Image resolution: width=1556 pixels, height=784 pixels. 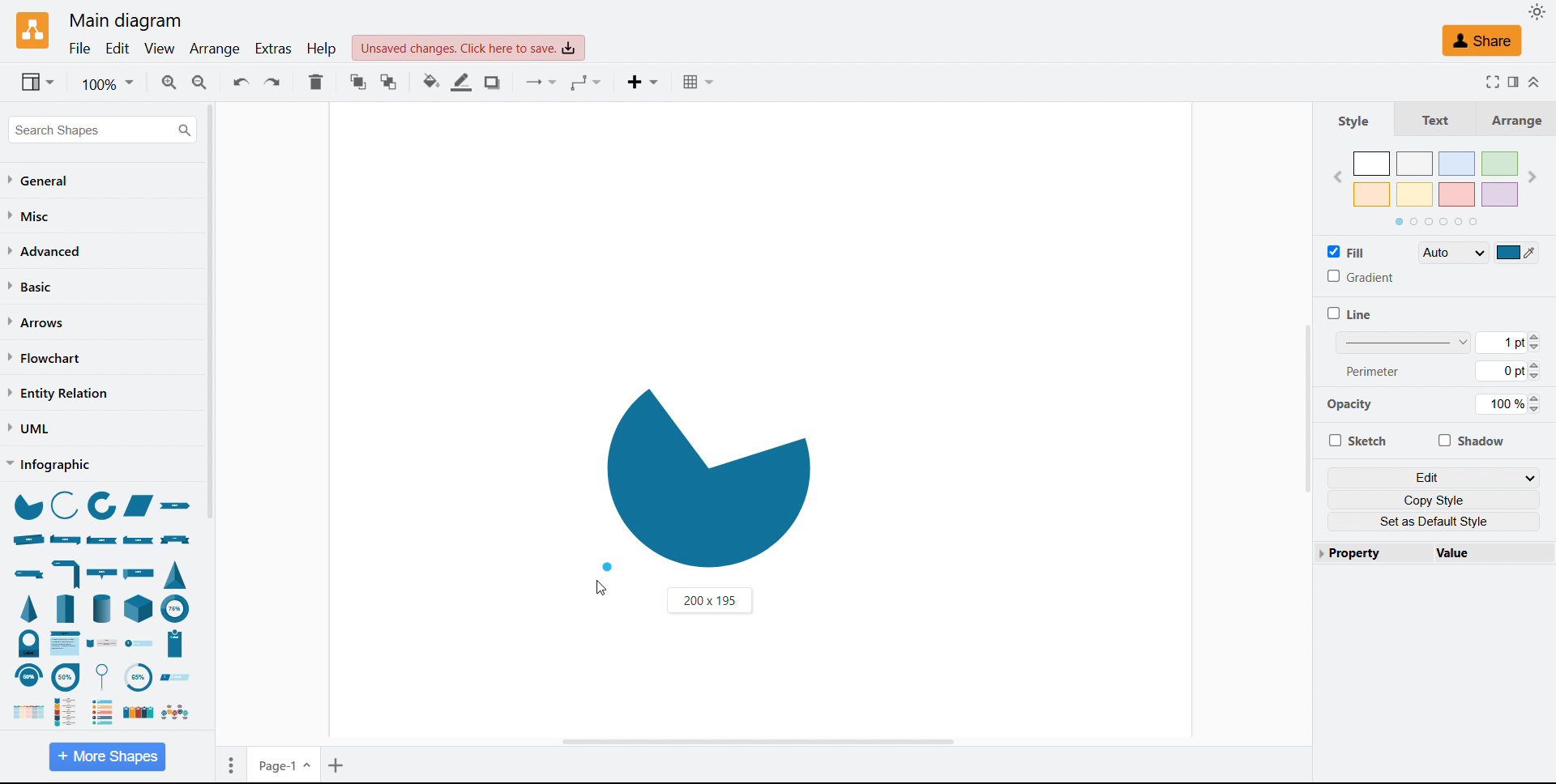 What do you see at coordinates (24, 713) in the screenshot?
I see `chevron list` at bounding box center [24, 713].